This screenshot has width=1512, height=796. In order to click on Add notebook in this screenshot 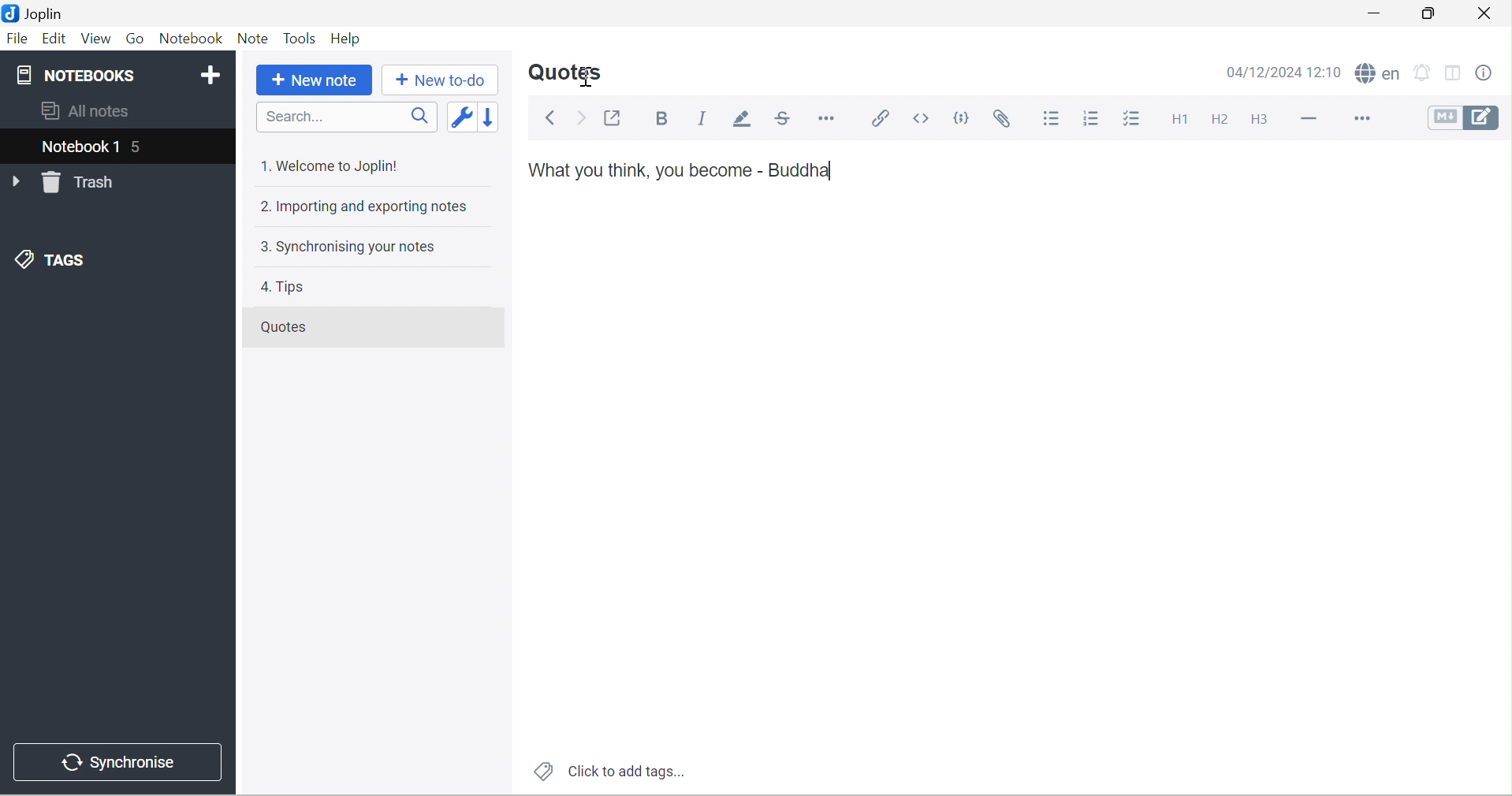, I will do `click(213, 76)`.